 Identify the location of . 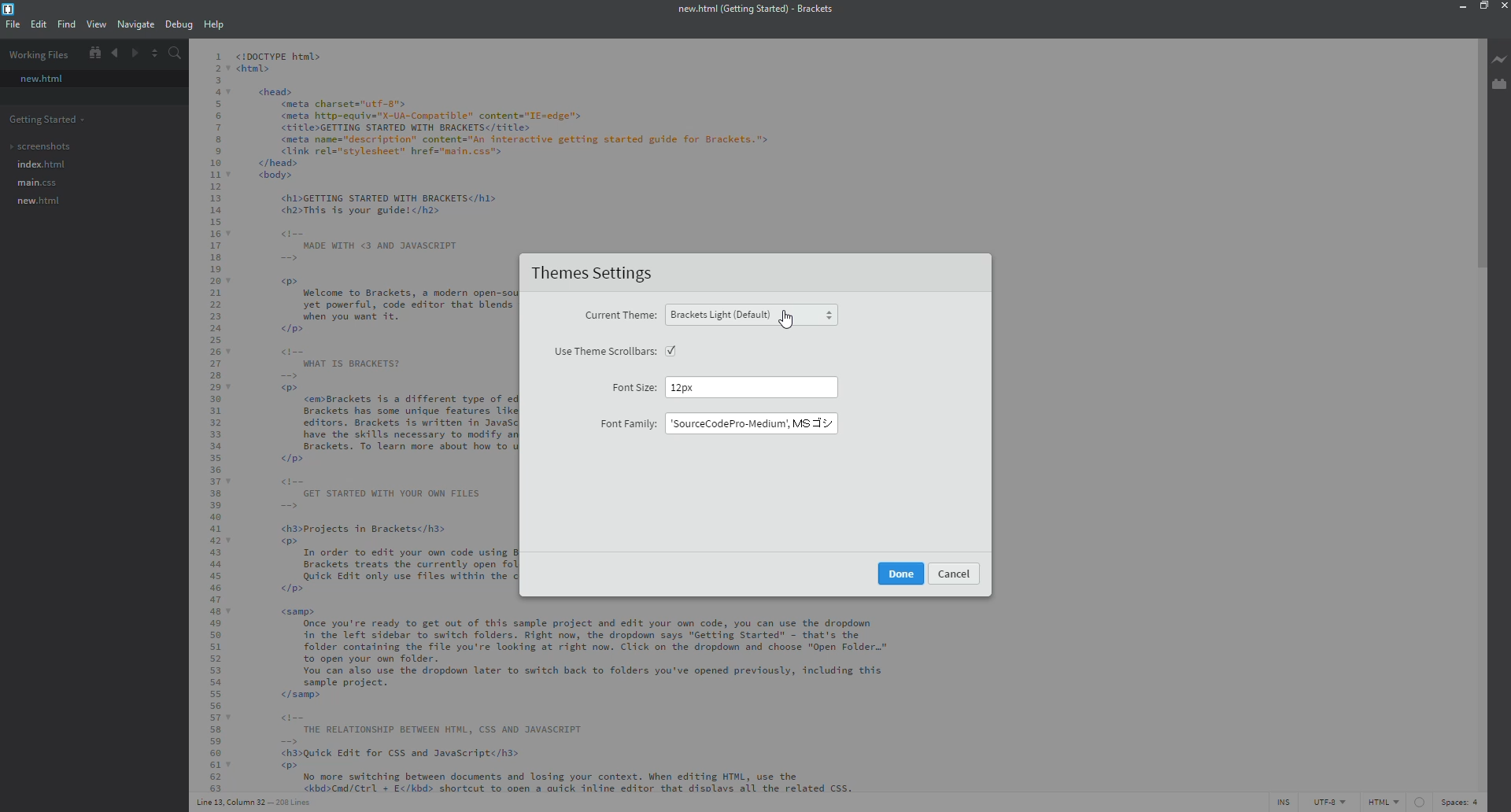
(957, 575).